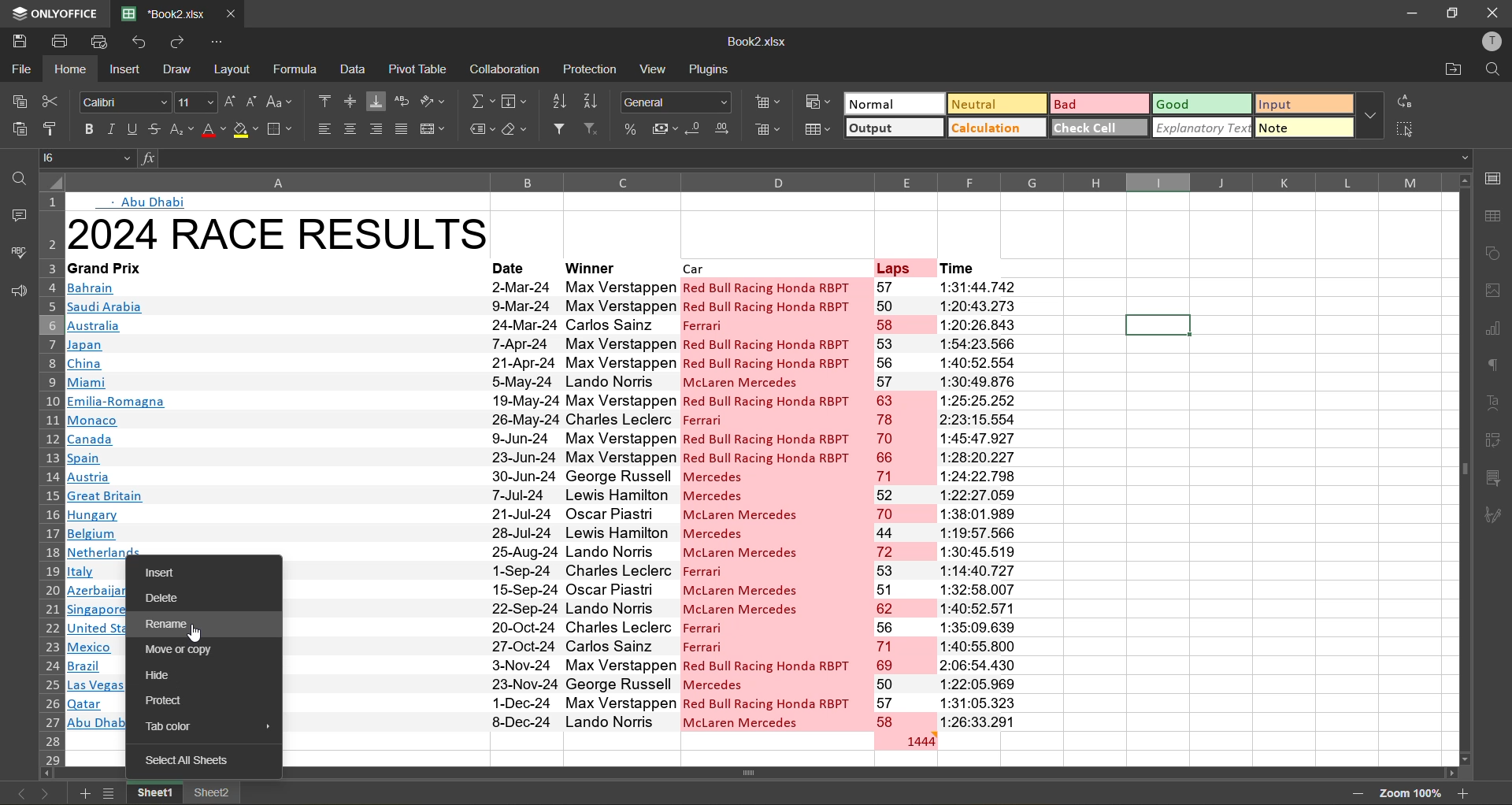 The image size is (1512, 805). I want to click on borders, so click(282, 128).